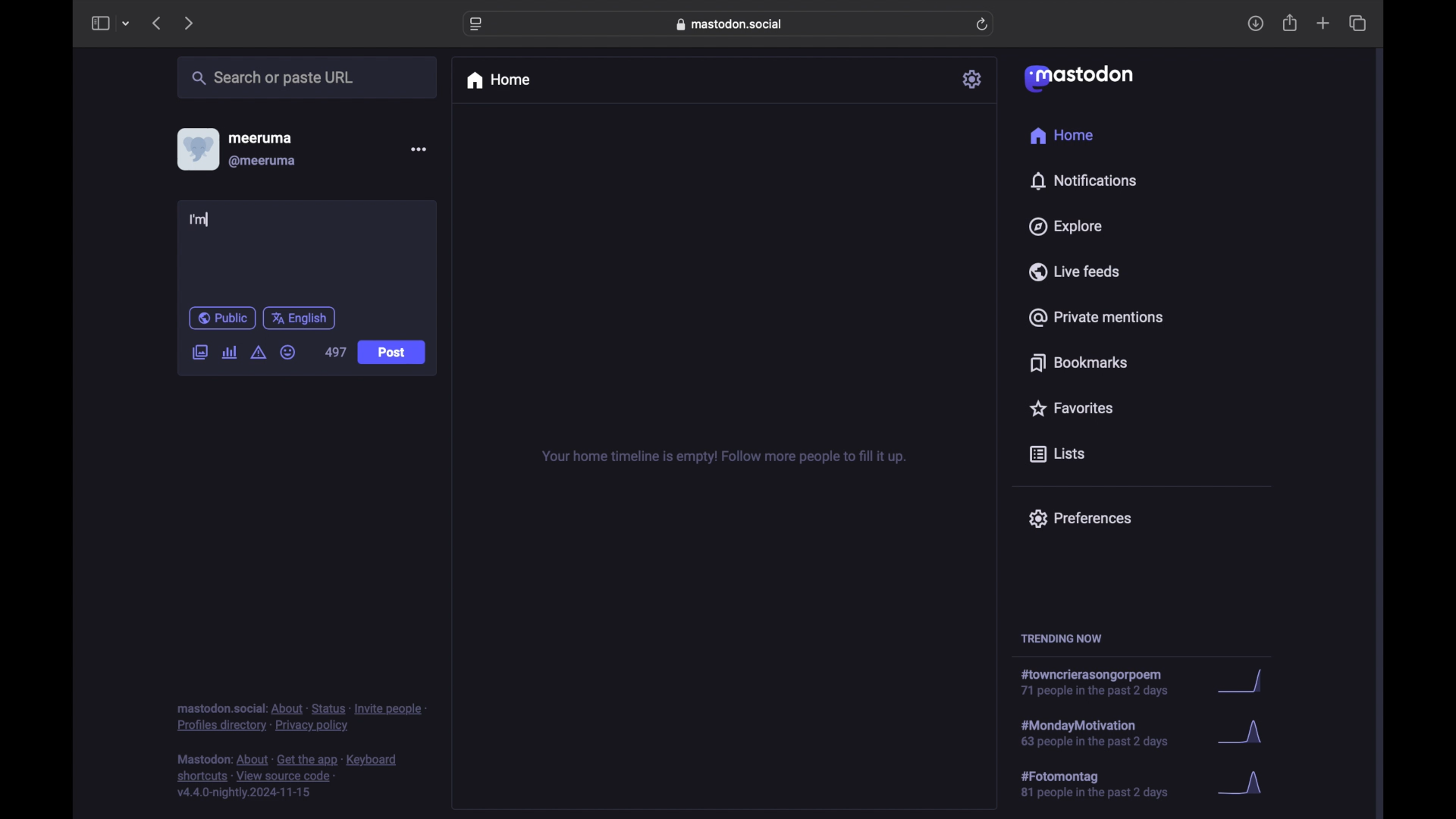 This screenshot has width=1456, height=819. I want to click on show tab overview, so click(1359, 23).